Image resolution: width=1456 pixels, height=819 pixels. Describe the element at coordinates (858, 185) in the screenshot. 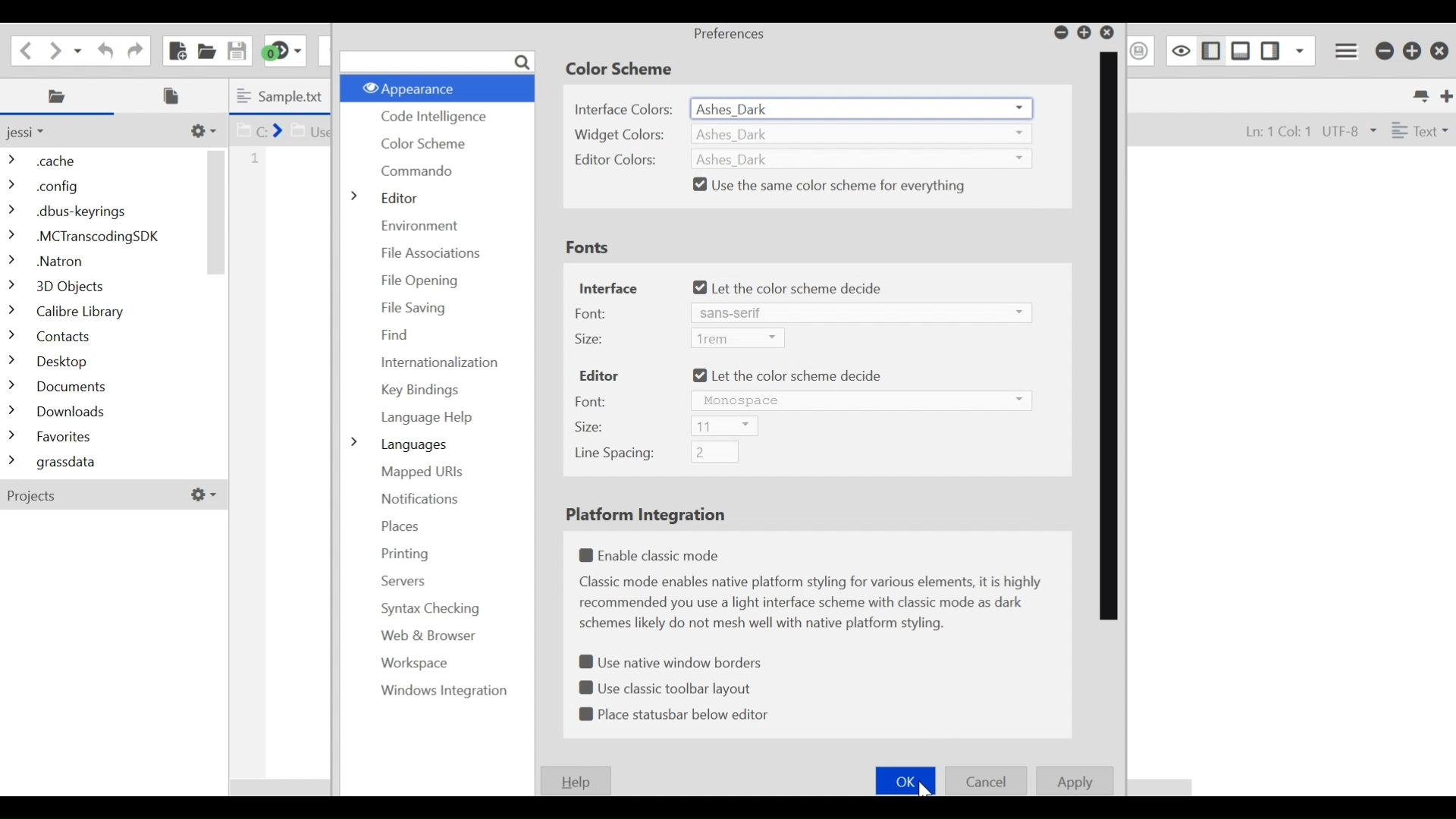

I see `Base16_Dark` at that location.